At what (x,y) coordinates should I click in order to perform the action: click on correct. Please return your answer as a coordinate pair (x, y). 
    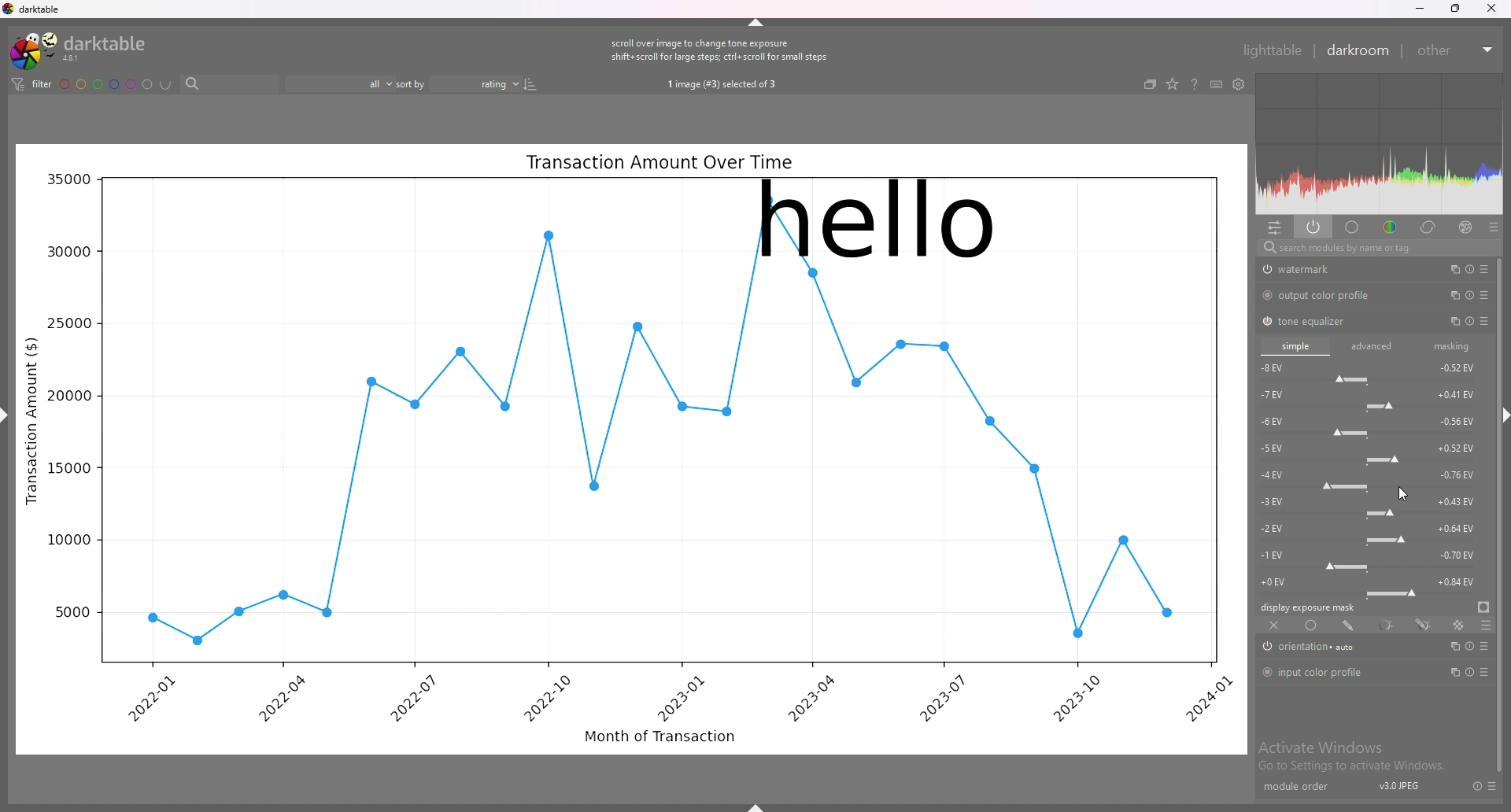
    Looking at the image, I should click on (1429, 227).